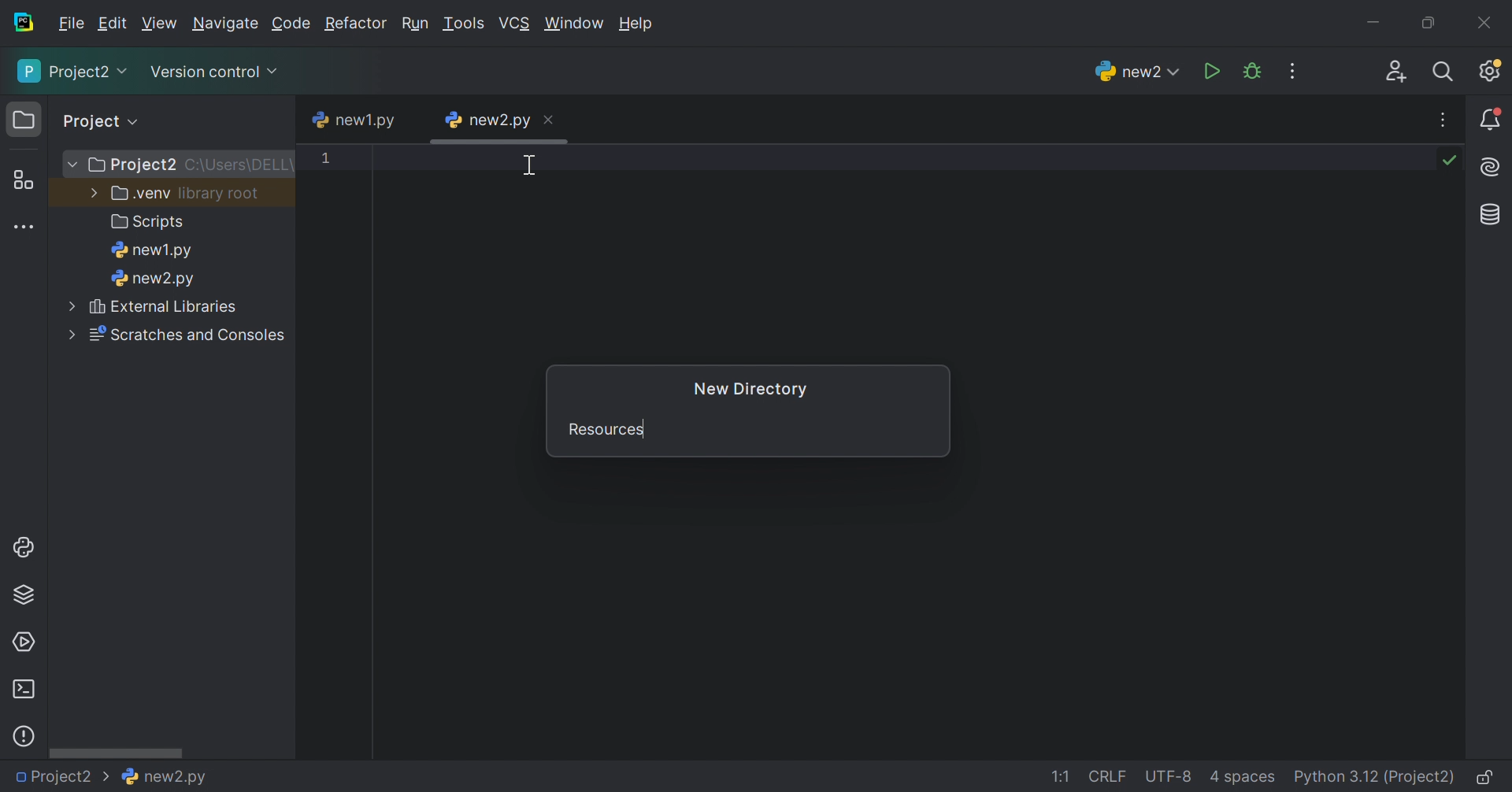 The image size is (1512, 792). Describe the element at coordinates (1061, 778) in the screenshot. I see `1:1` at that location.